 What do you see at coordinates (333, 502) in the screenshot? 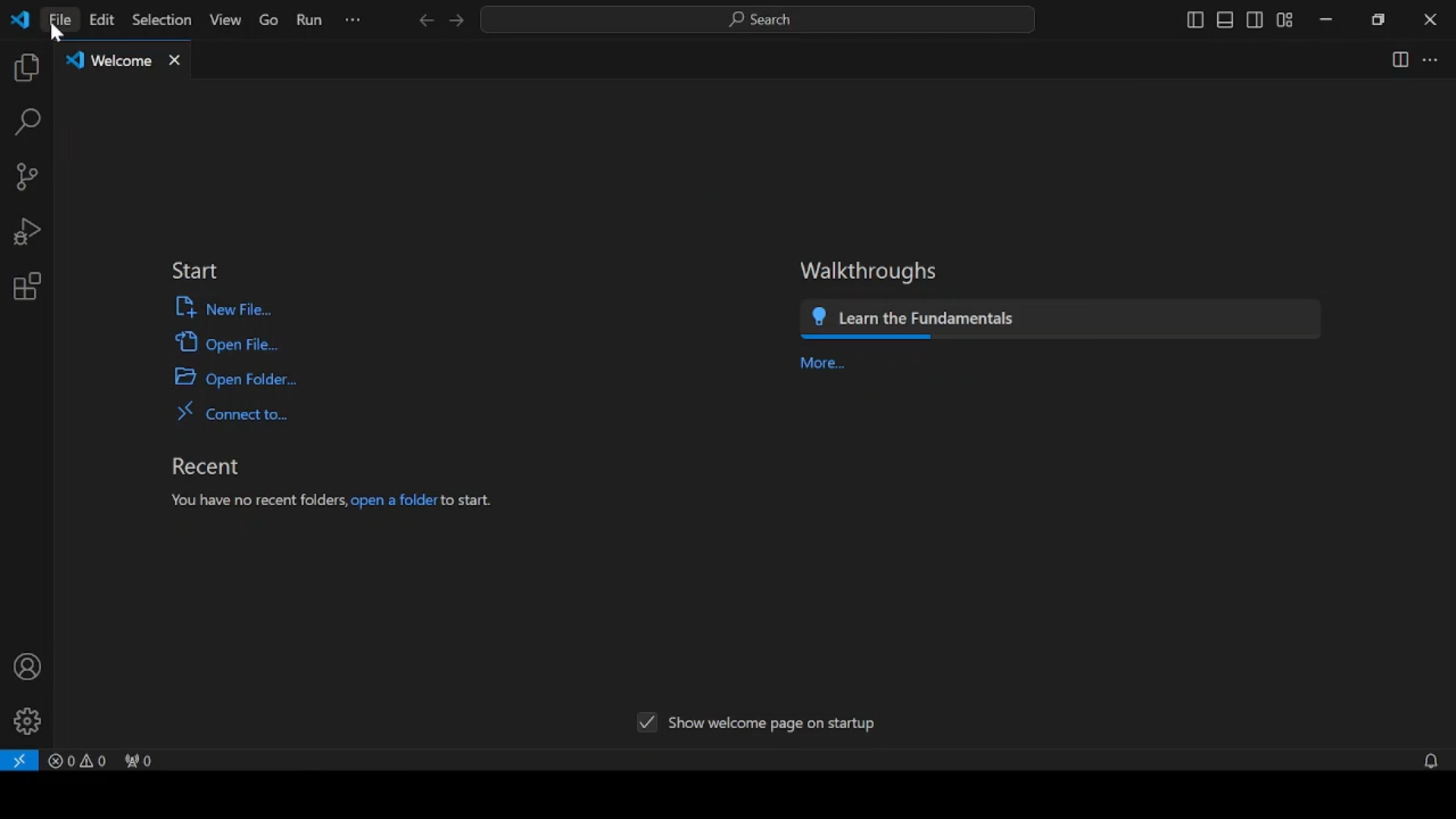
I see `you have no recent folders, open a folder to start` at bounding box center [333, 502].